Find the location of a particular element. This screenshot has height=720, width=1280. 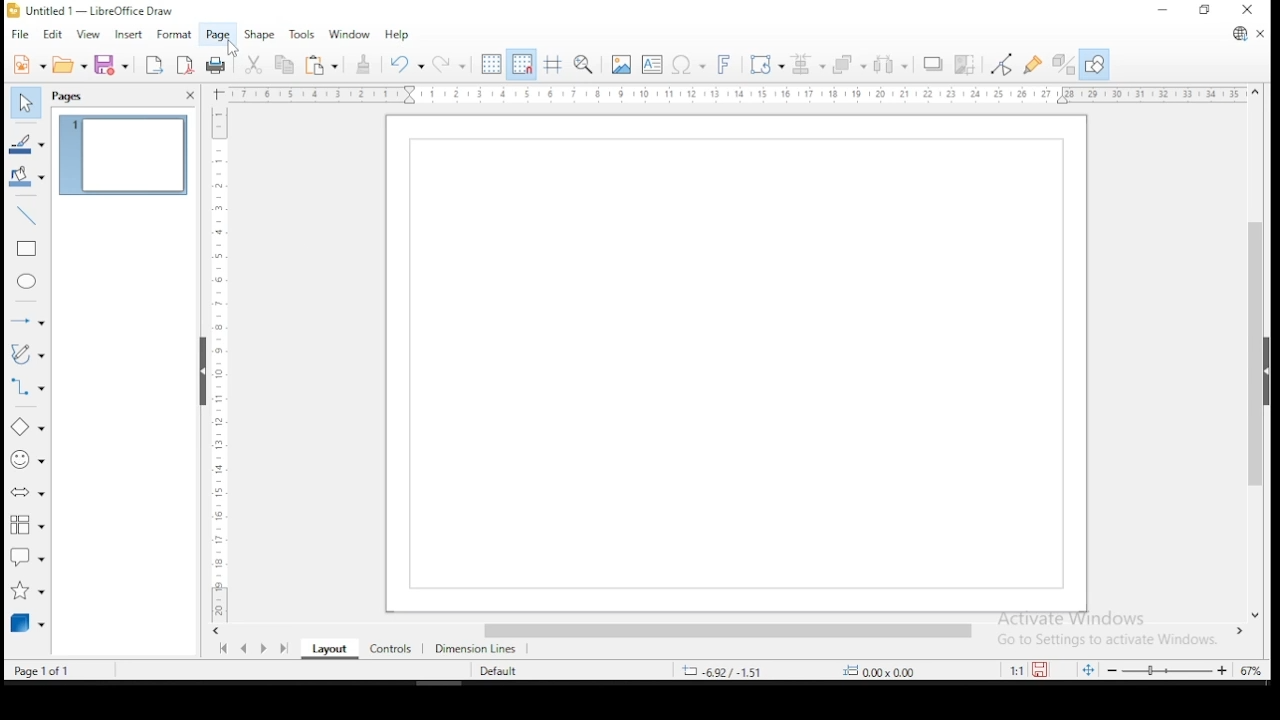

cursor is located at coordinates (232, 48).